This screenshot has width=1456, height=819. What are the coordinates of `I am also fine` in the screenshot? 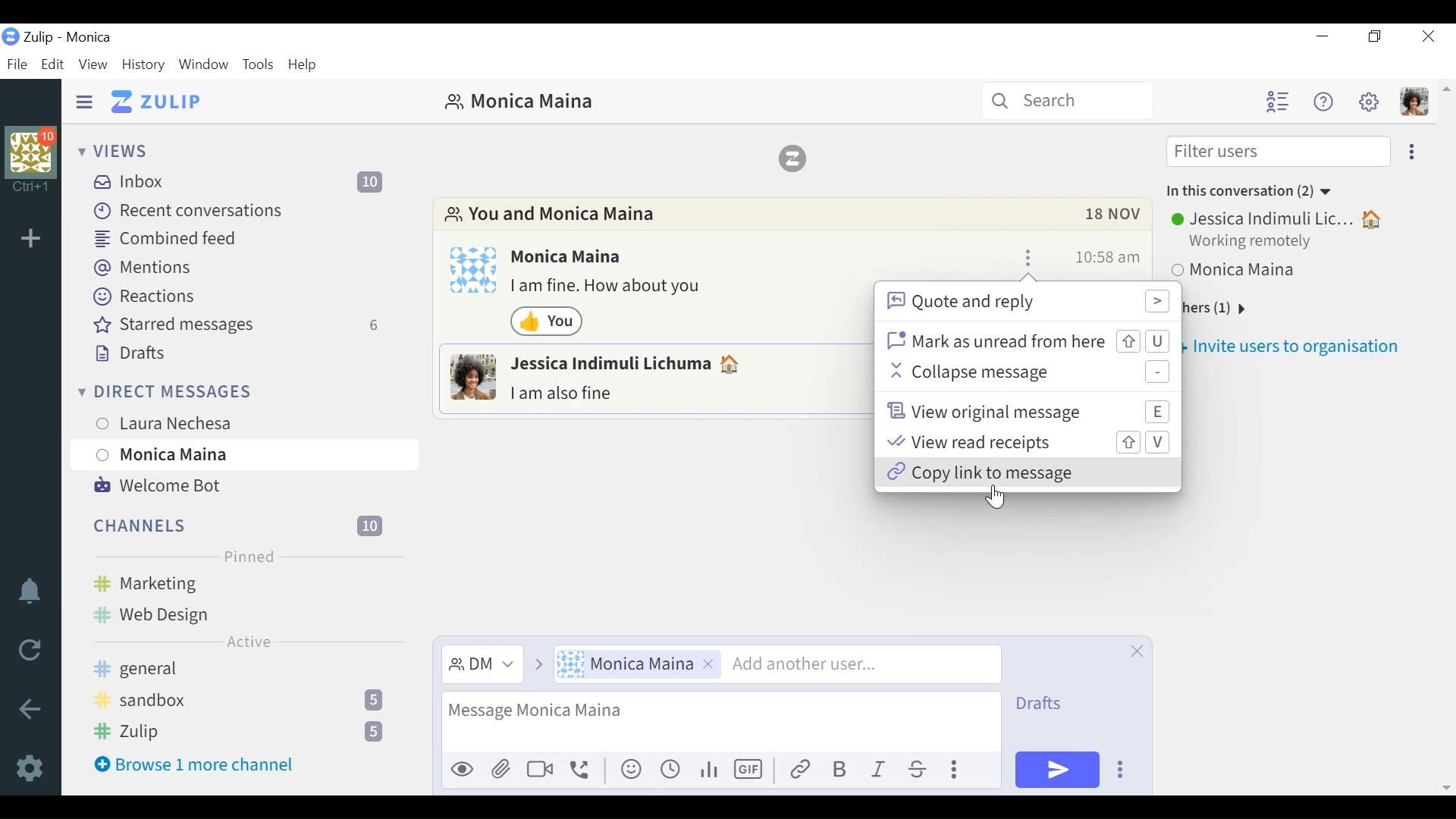 It's located at (566, 394).